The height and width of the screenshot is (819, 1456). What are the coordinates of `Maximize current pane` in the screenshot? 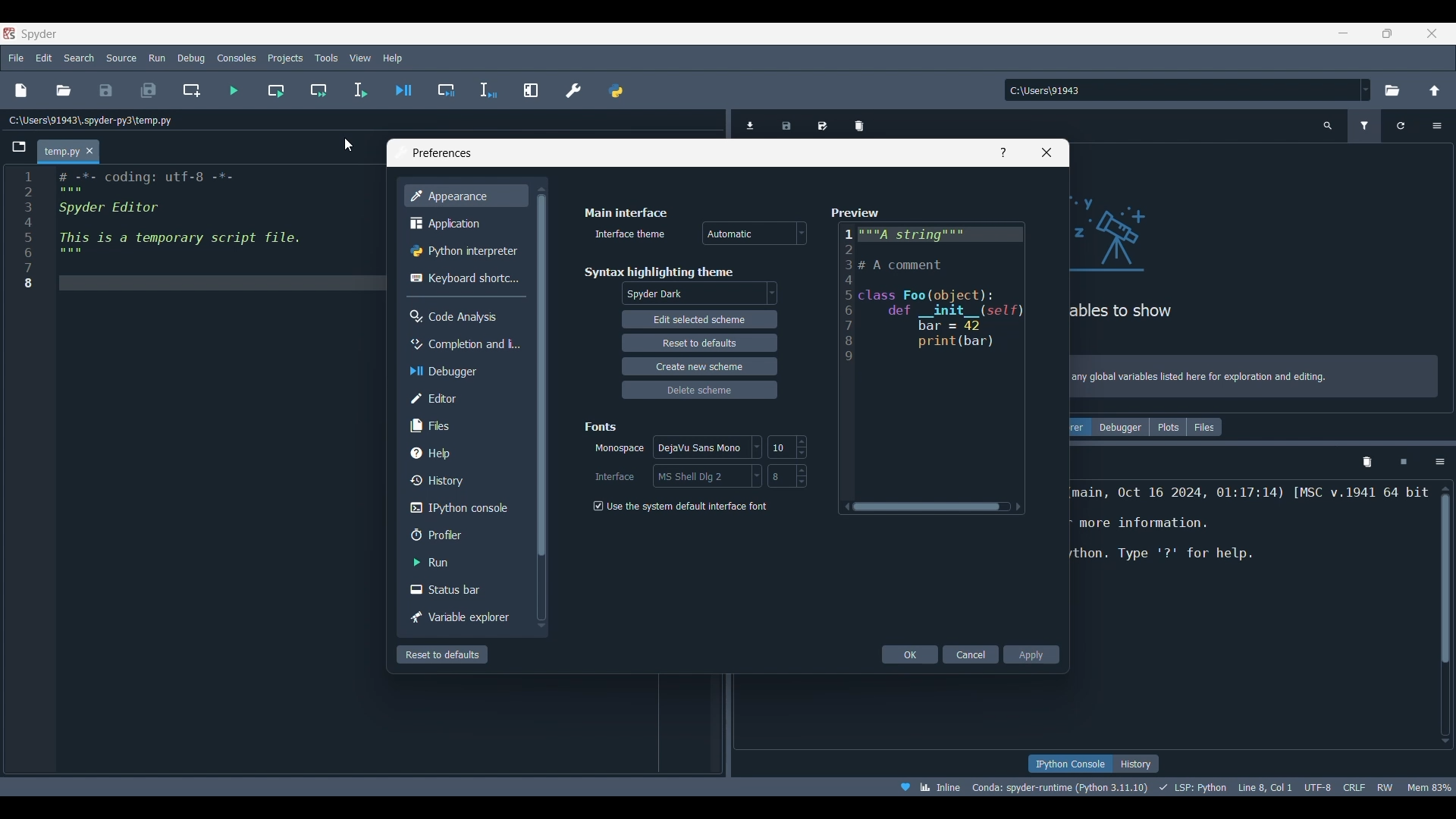 It's located at (531, 89).